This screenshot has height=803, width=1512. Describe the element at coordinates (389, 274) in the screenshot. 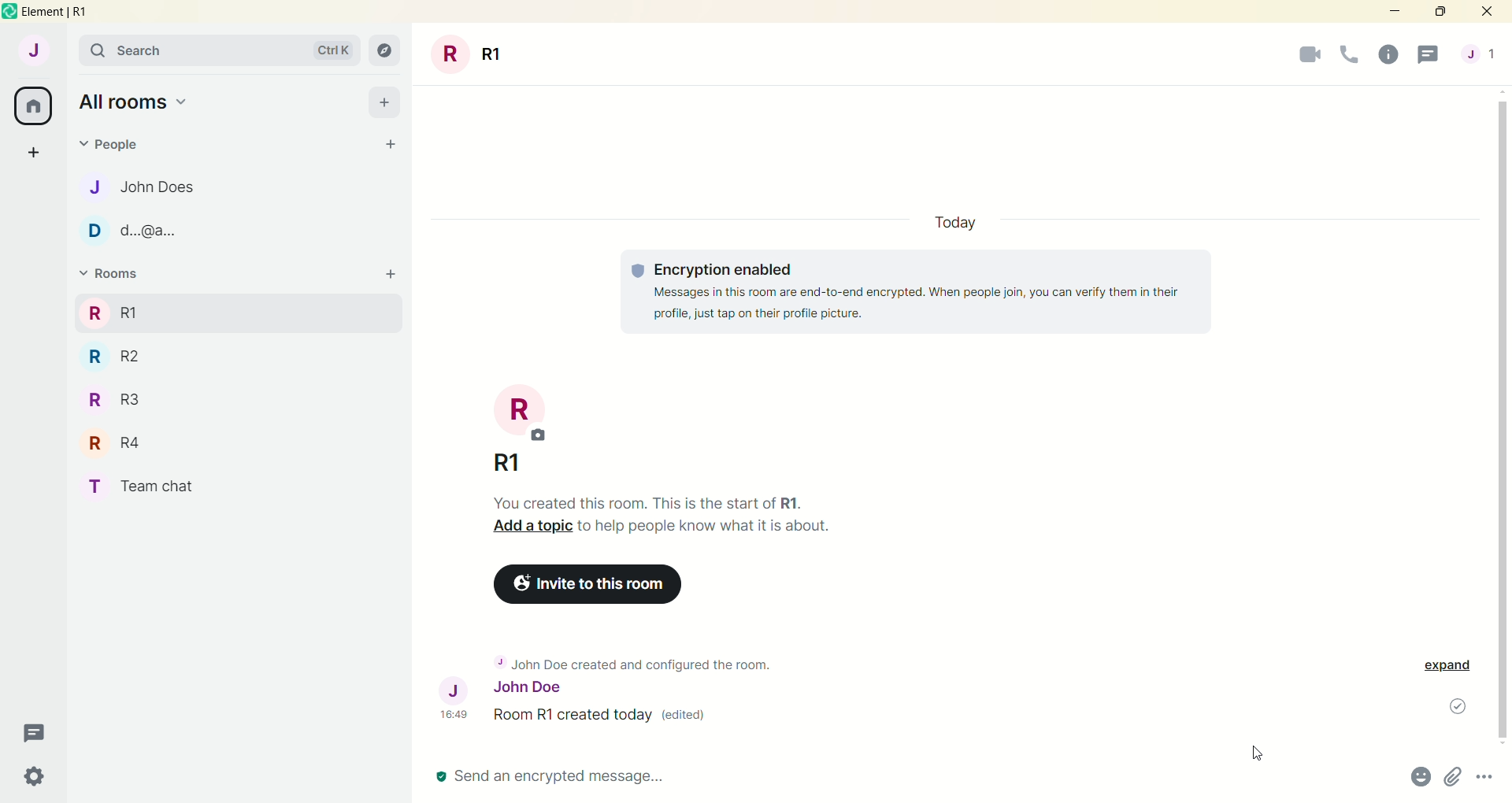

I see `add` at that location.